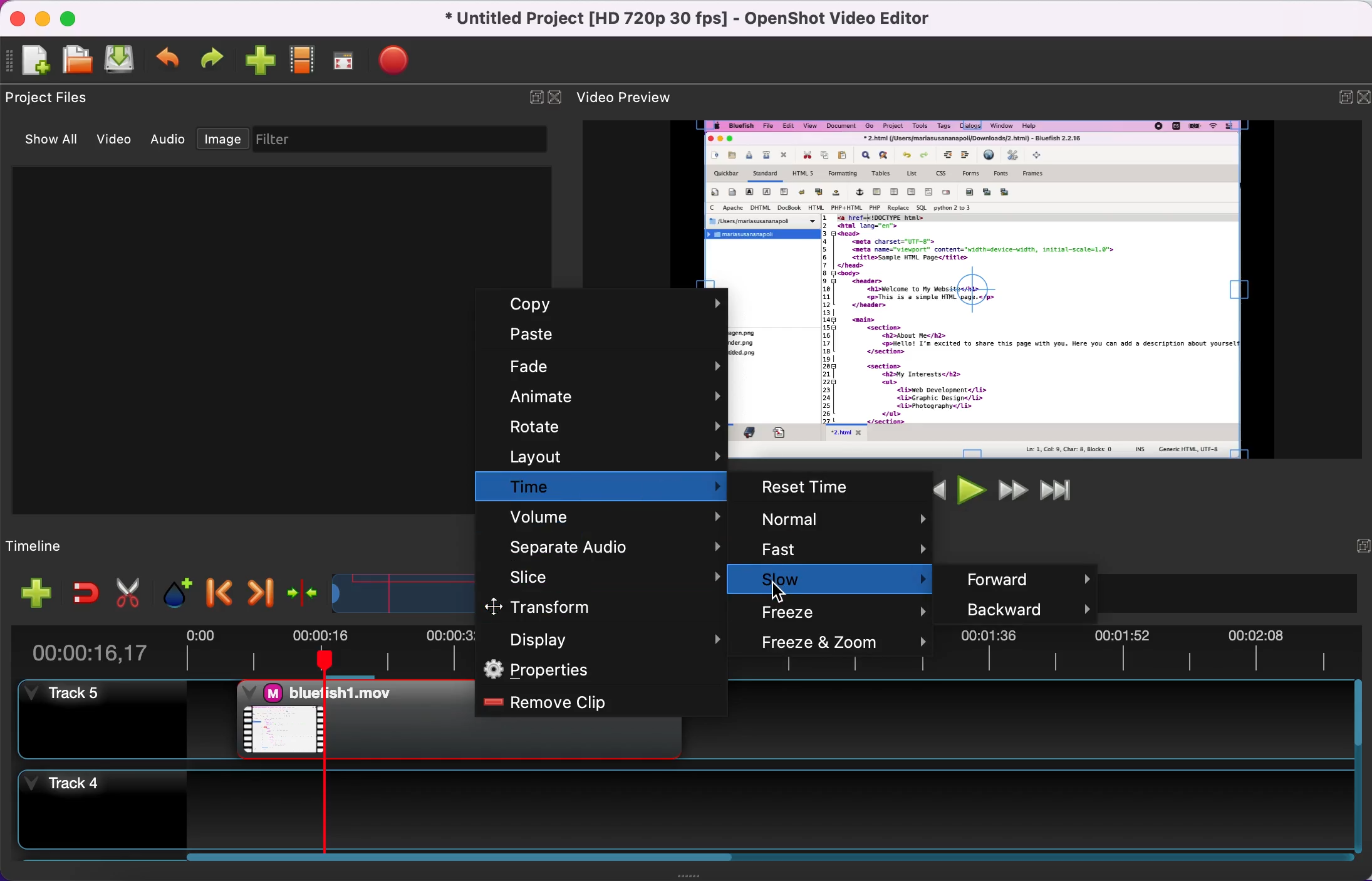 The width and height of the screenshot is (1372, 881). I want to click on export video, so click(402, 59).